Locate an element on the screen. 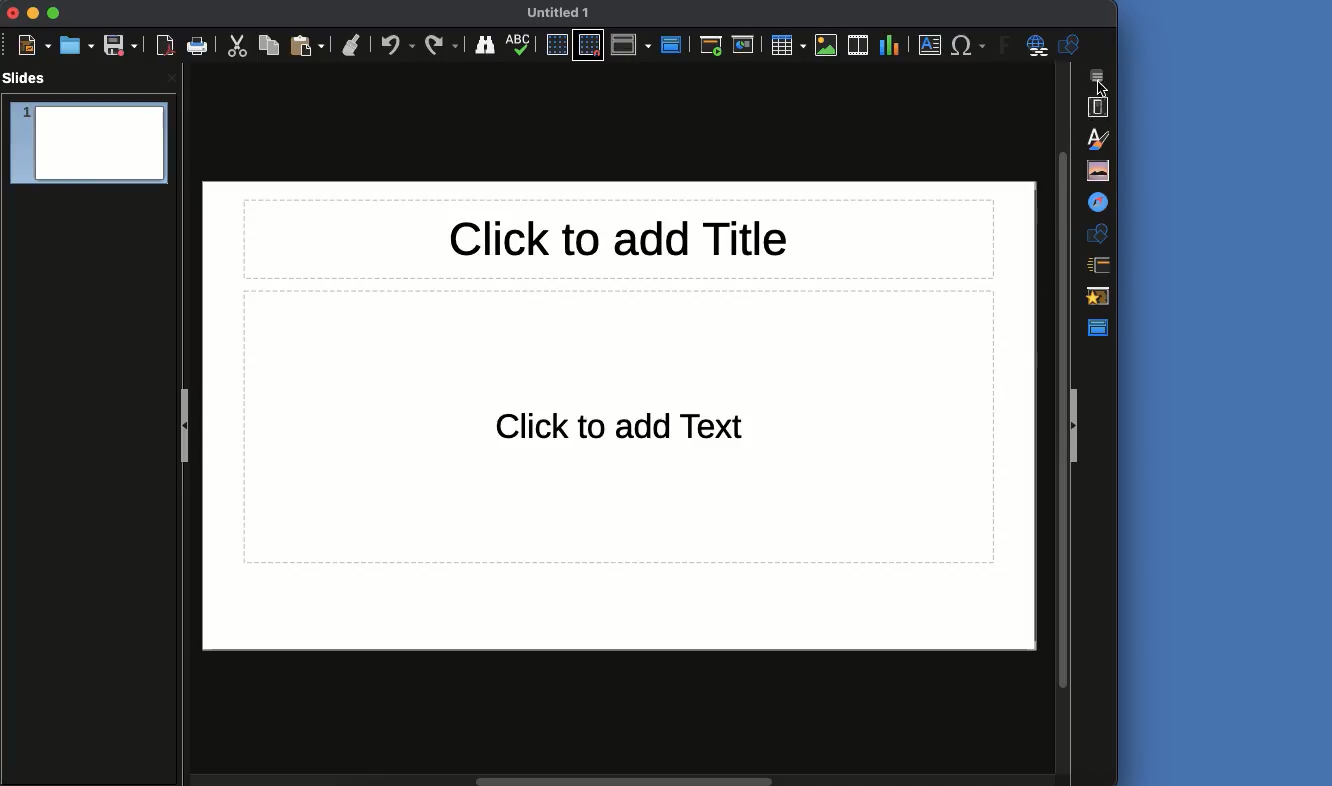  Save is located at coordinates (121, 44).